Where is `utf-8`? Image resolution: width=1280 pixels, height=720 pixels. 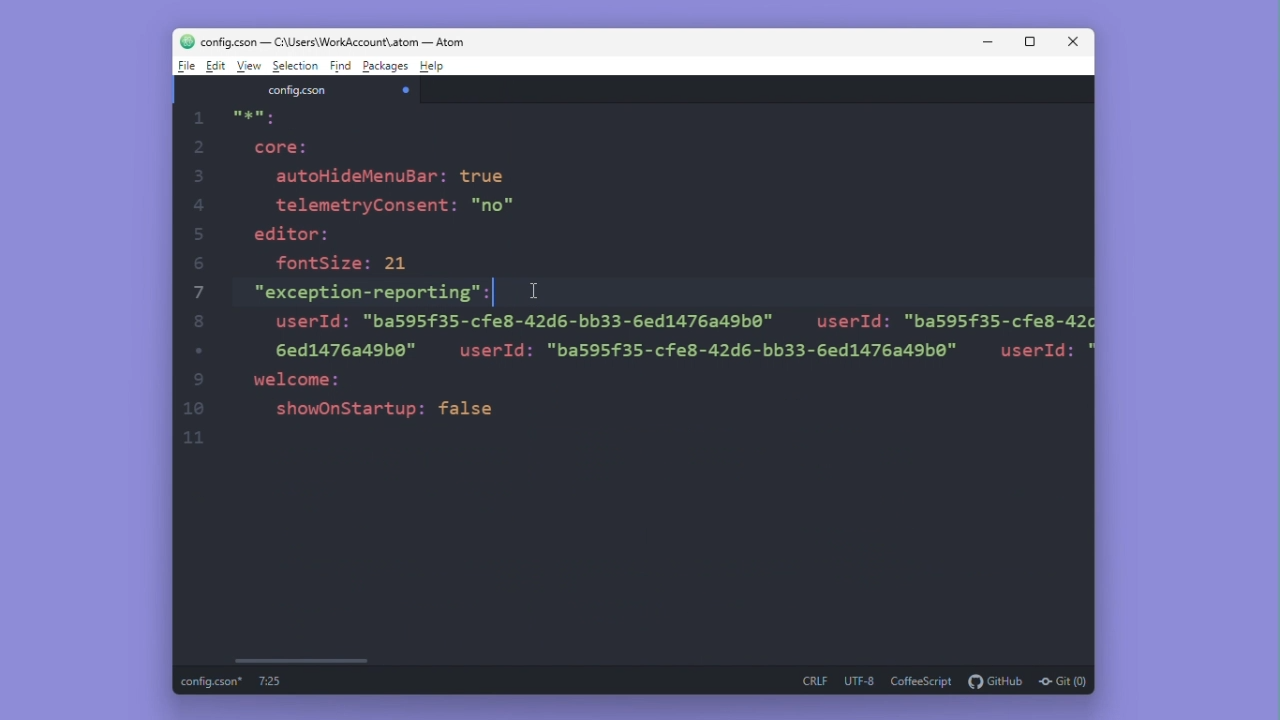
utf-8 is located at coordinates (859, 681).